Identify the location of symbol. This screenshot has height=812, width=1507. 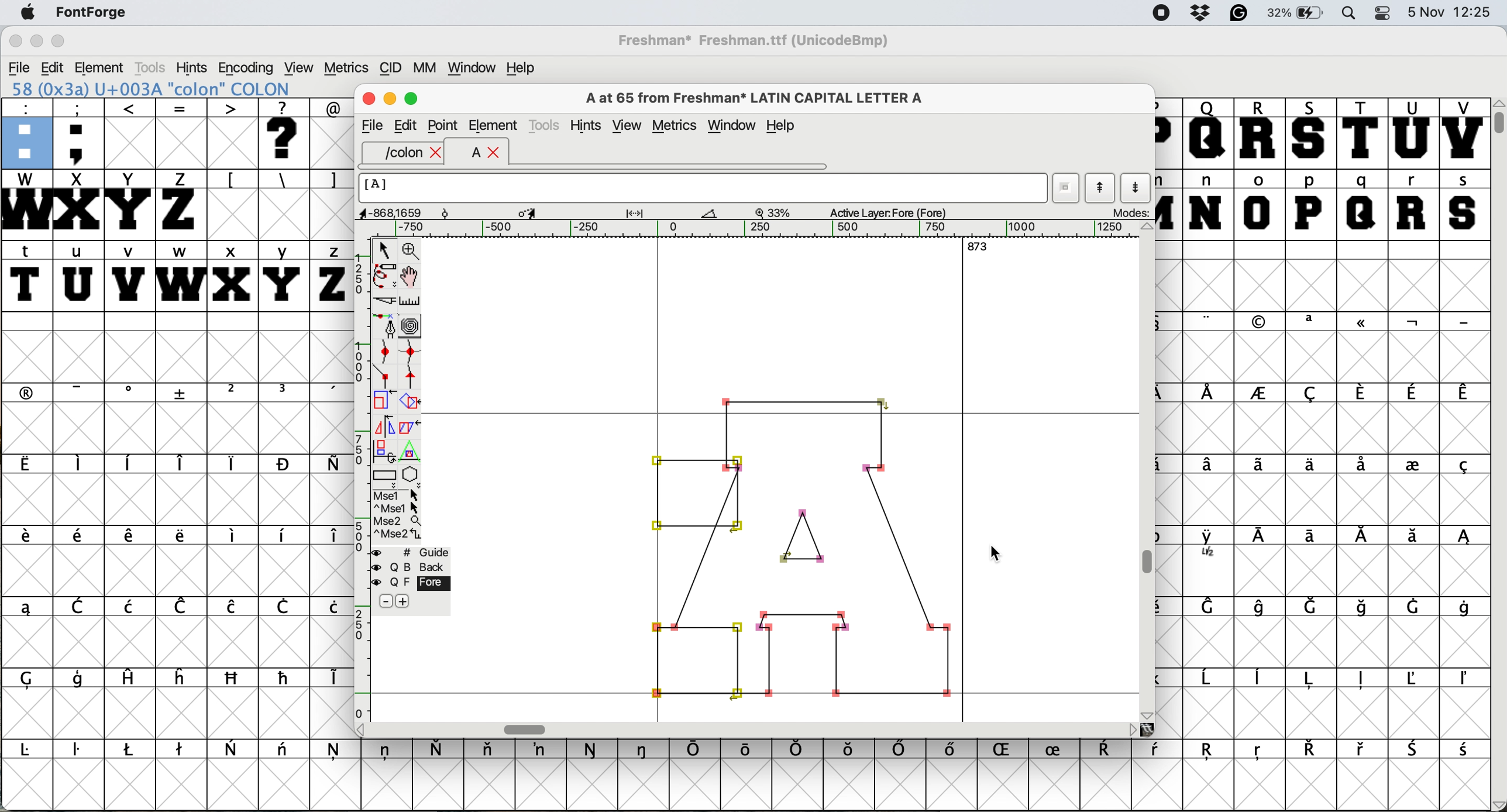
(234, 679).